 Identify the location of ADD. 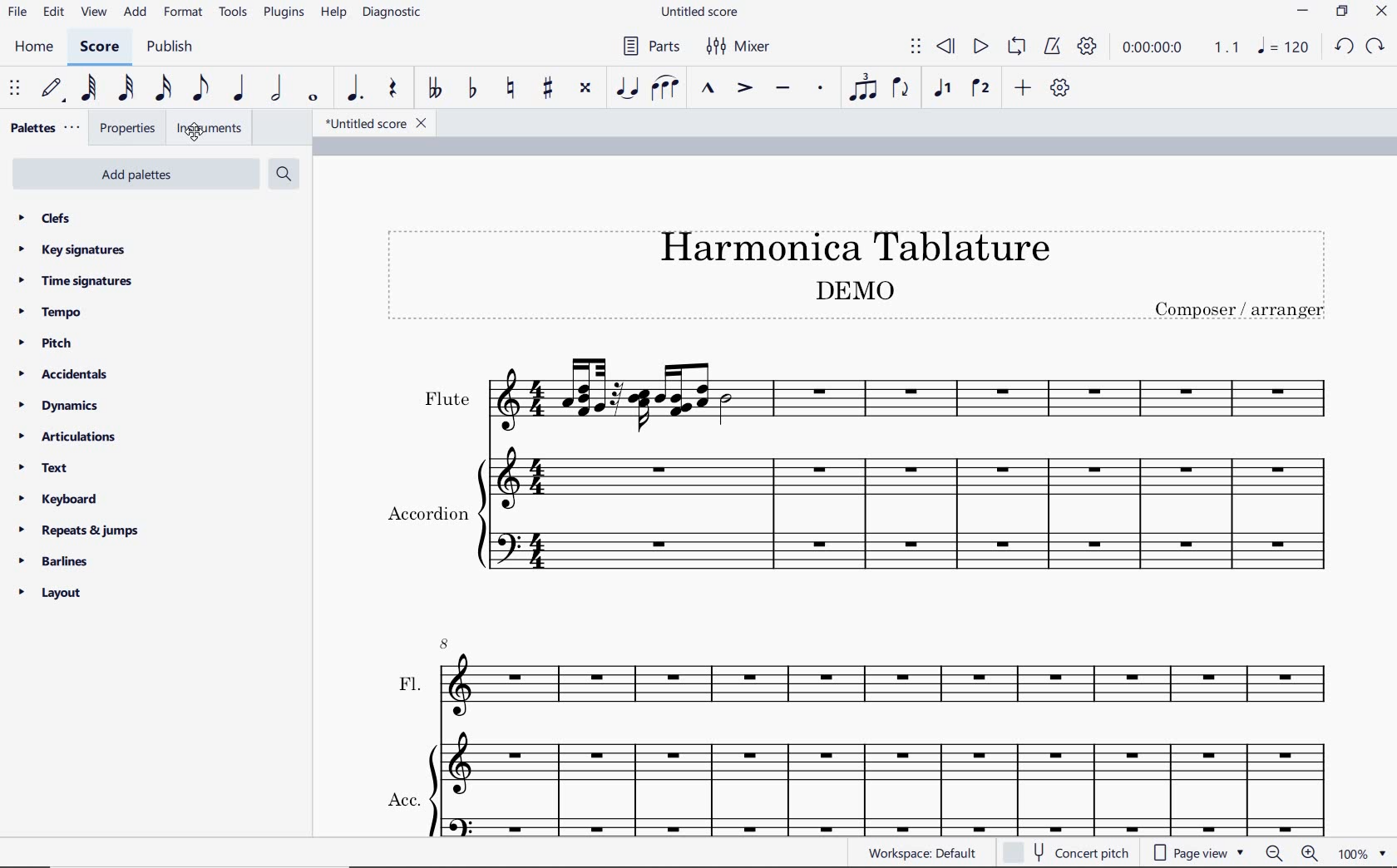
(136, 12).